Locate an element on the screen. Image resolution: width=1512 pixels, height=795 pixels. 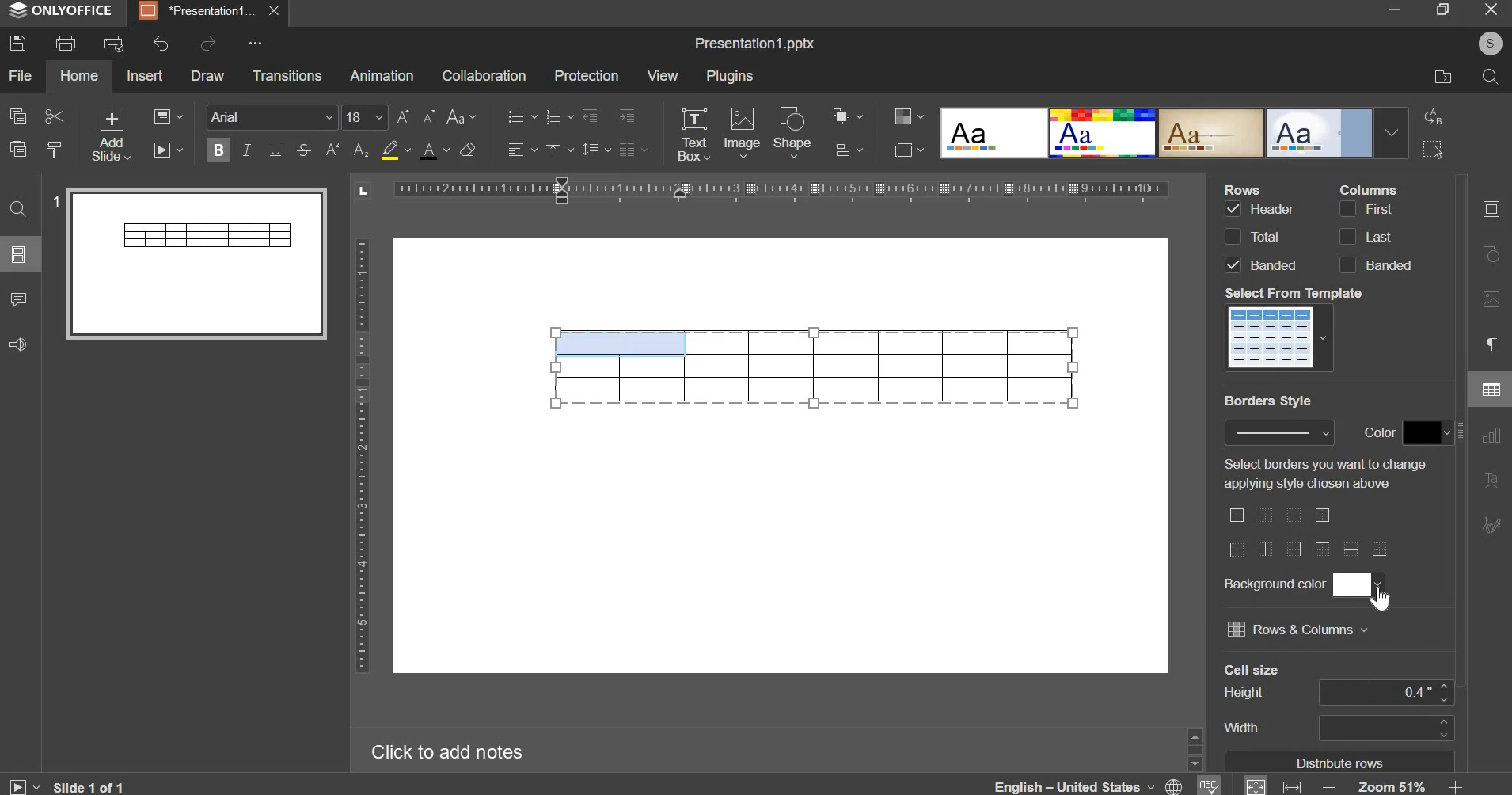
Cursor is located at coordinates (1381, 599).